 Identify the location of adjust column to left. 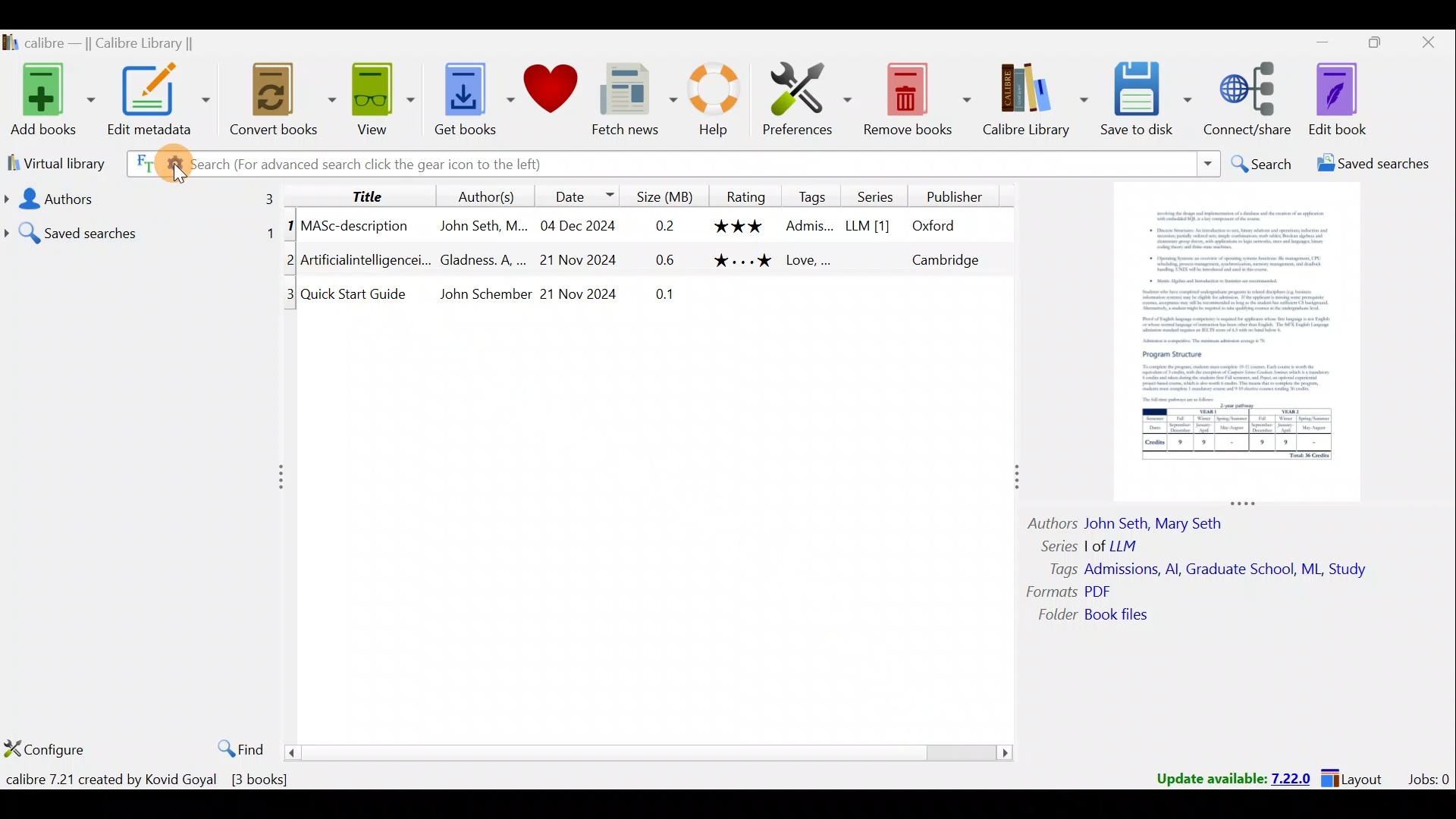
(281, 475).